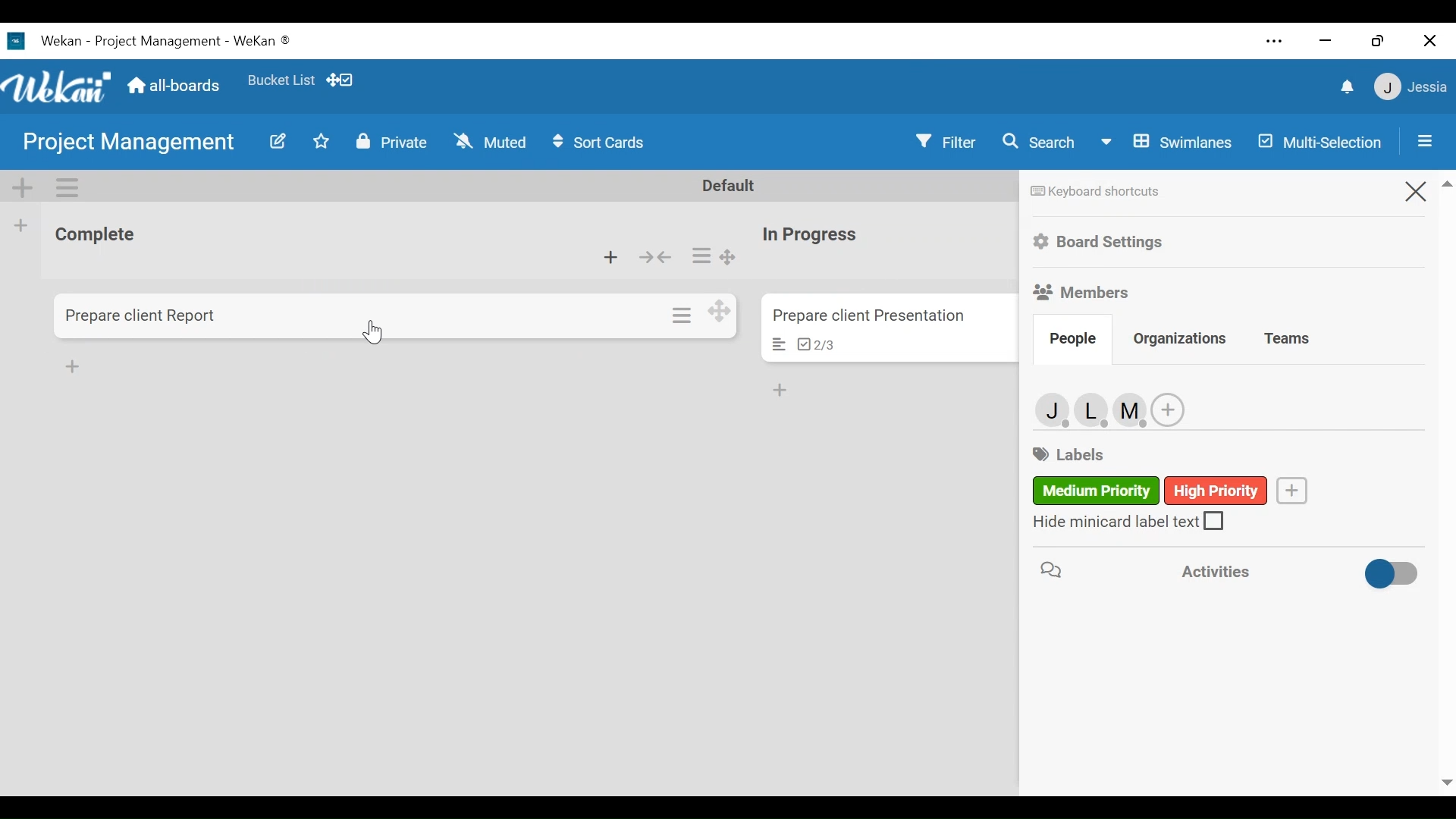 The height and width of the screenshot is (819, 1456). What do you see at coordinates (1418, 193) in the screenshot?
I see `Close` at bounding box center [1418, 193].